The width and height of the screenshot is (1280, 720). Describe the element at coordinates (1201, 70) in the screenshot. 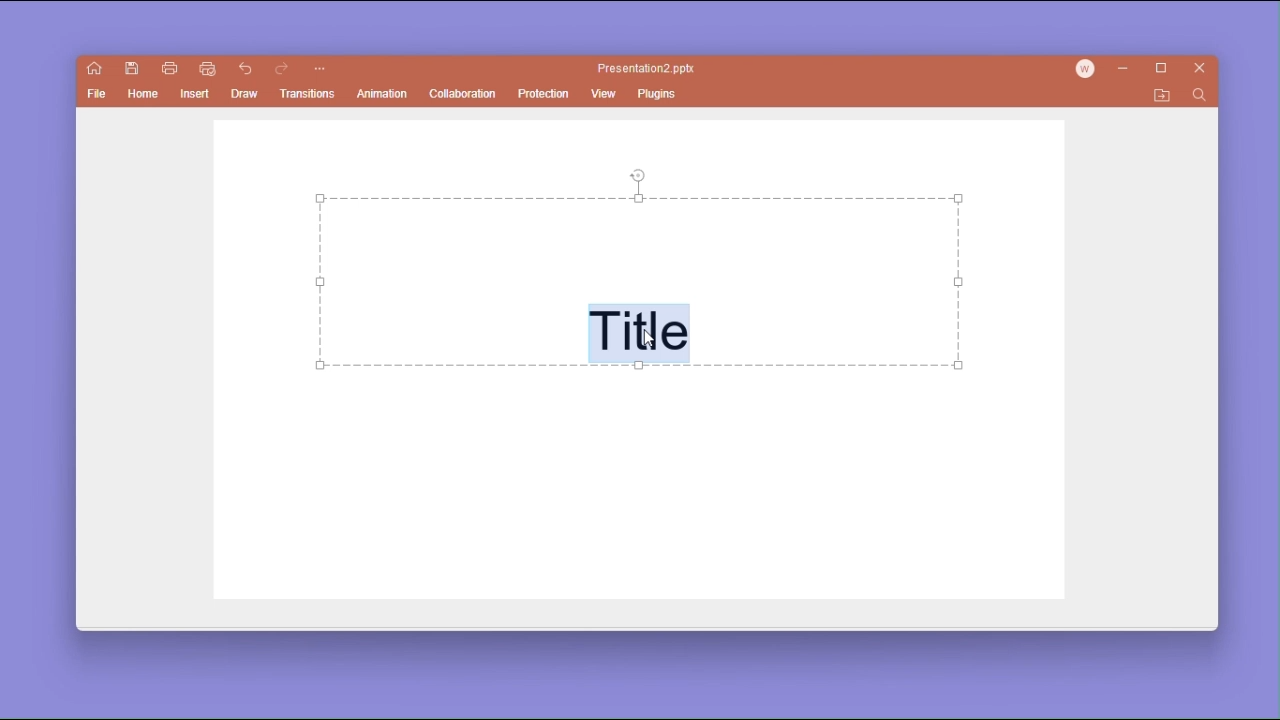

I see `close` at that location.